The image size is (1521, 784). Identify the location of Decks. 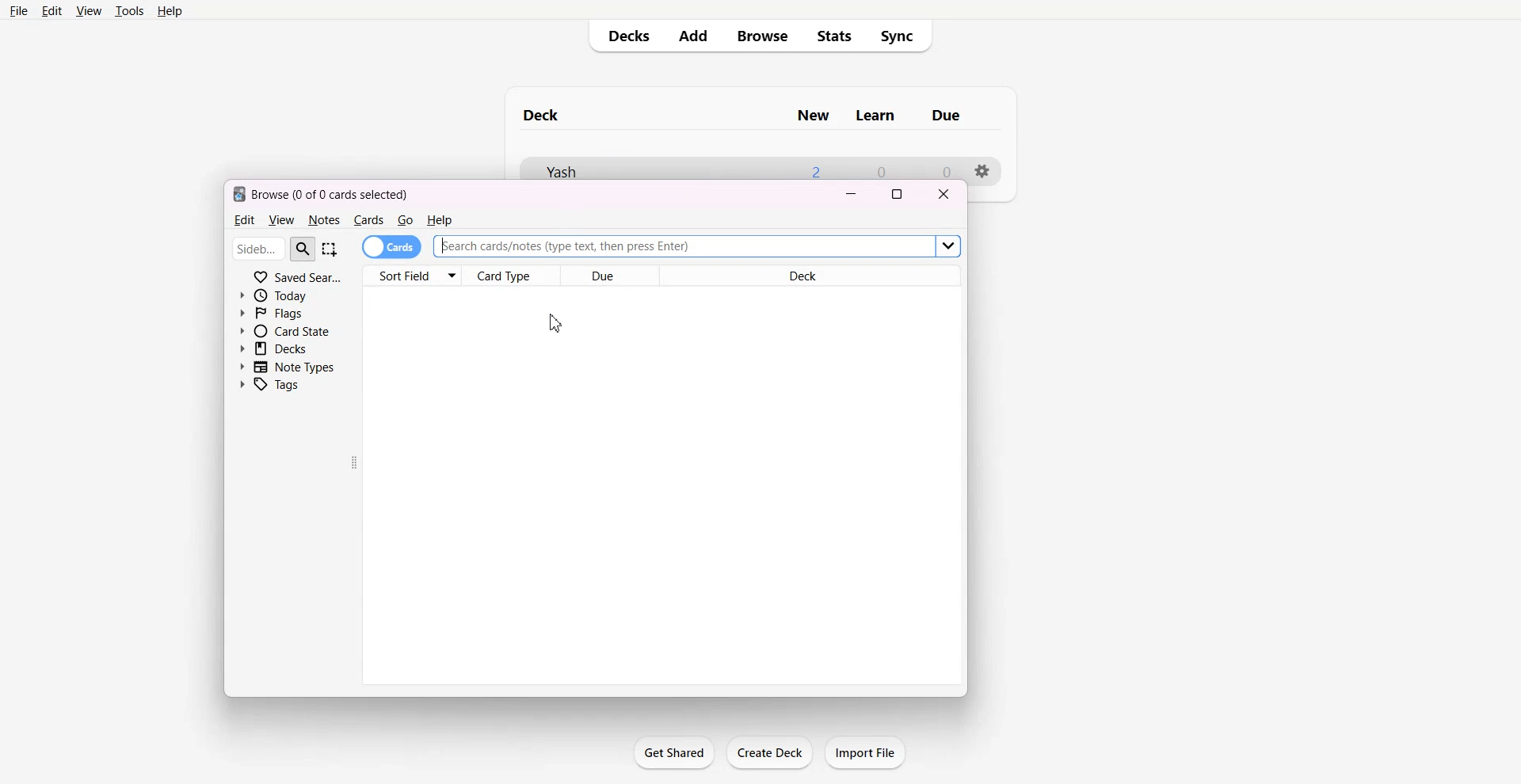
(284, 349).